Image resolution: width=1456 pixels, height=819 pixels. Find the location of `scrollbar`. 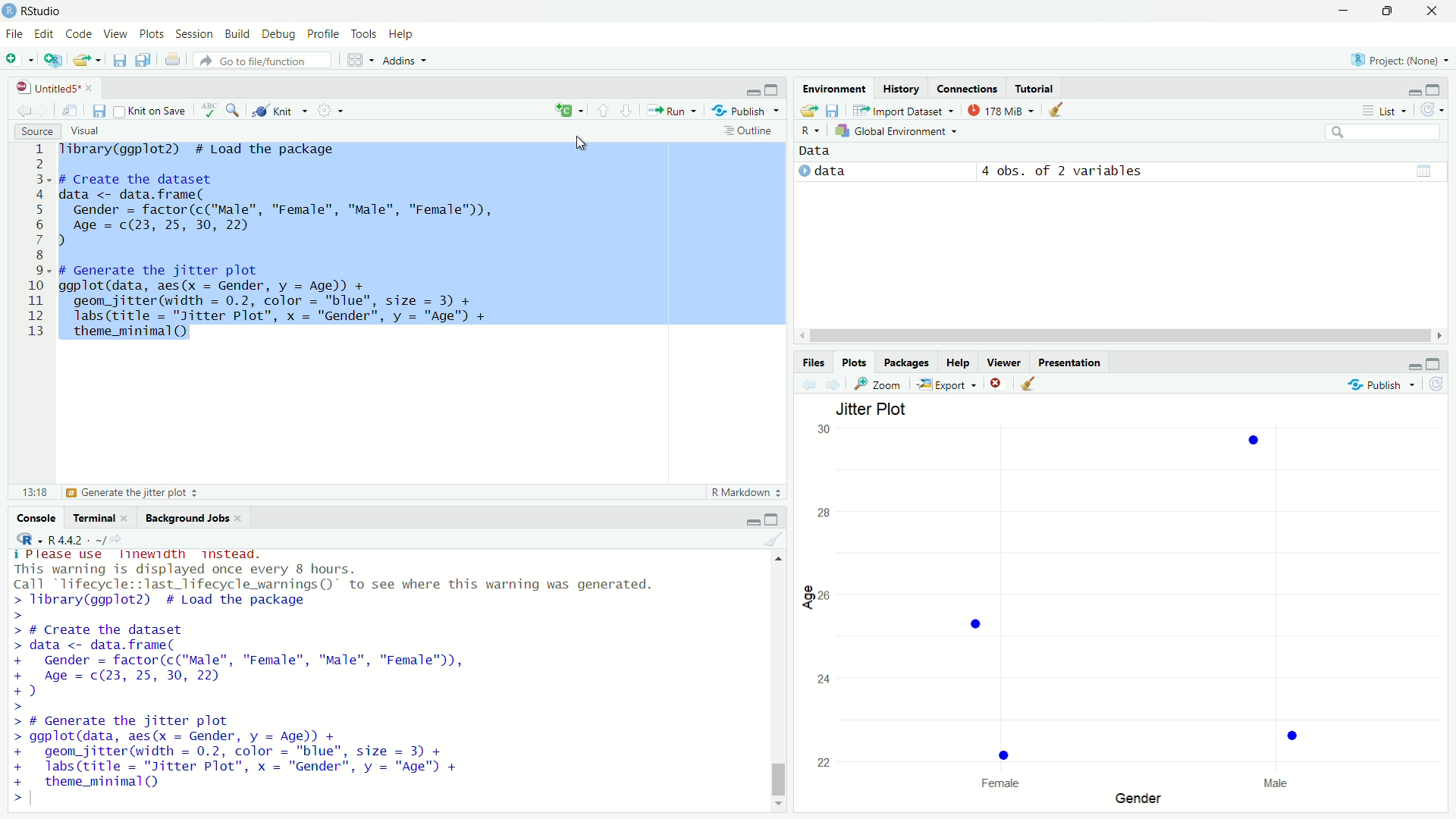

scrollbar is located at coordinates (777, 683).